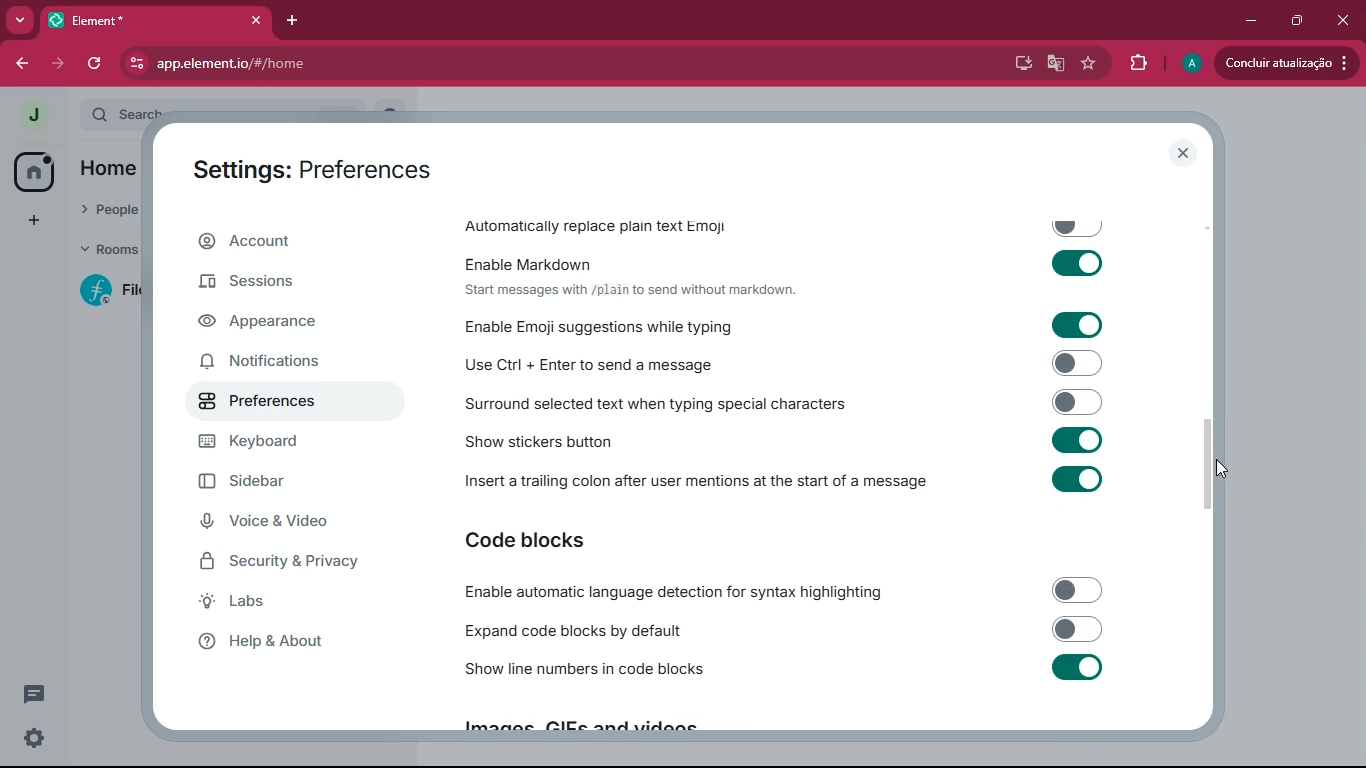 This screenshot has height=768, width=1366. What do you see at coordinates (313, 167) in the screenshot?
I see `settings: preferences` at bounding box center [313, 167].